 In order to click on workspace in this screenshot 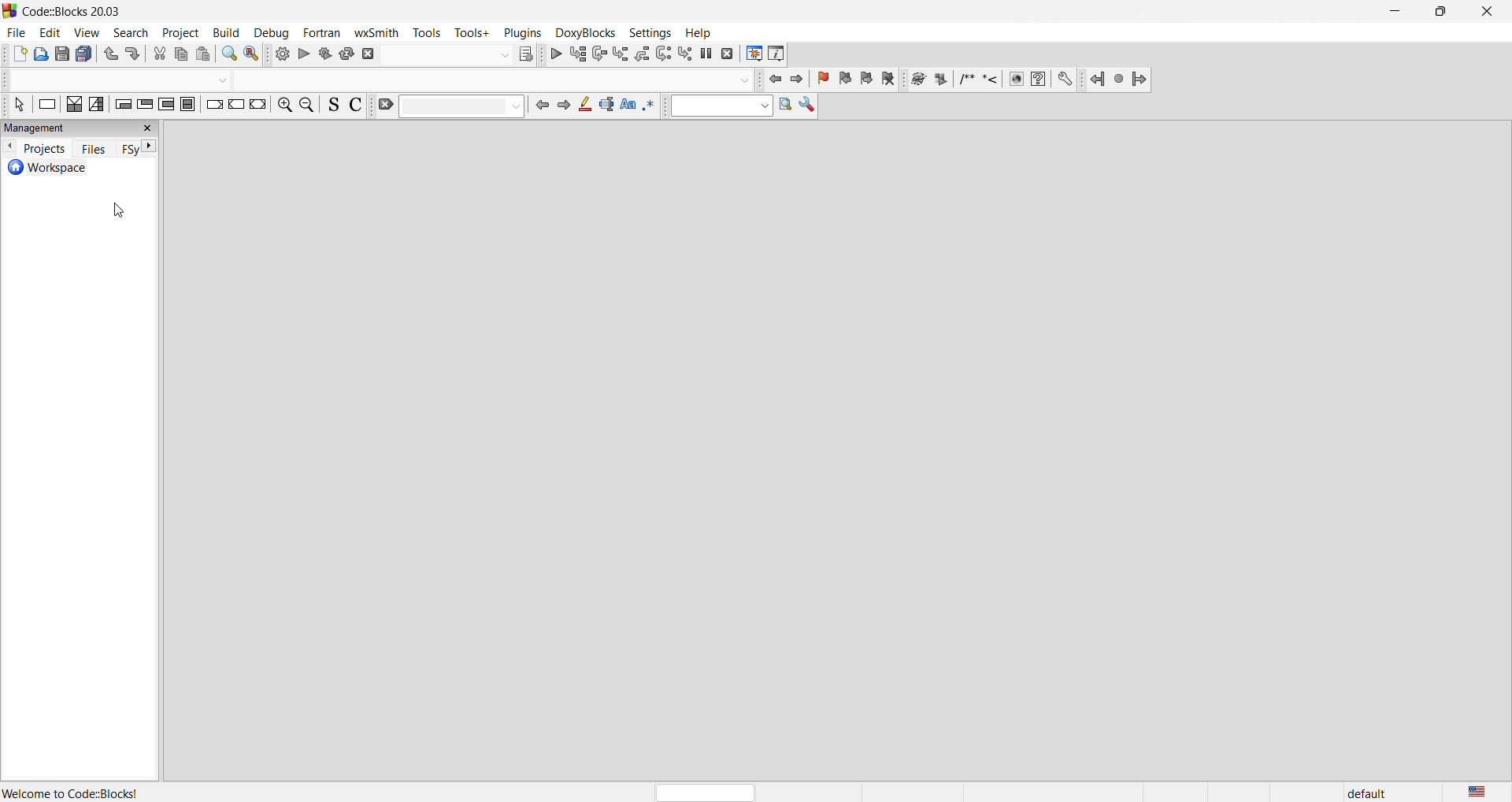, I will do `click(78, 169)`.